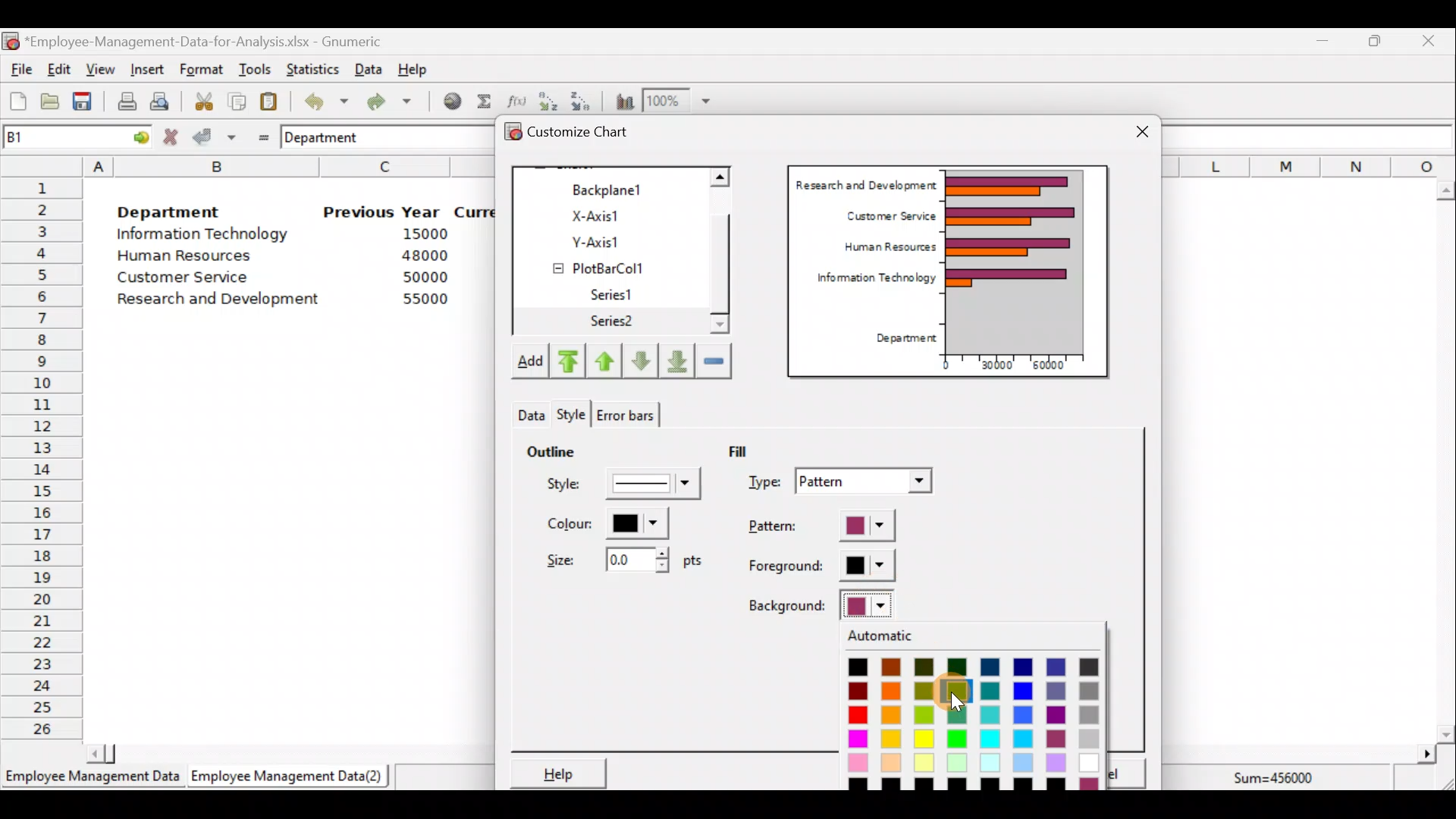 The image size is (1456, 819). Describe the element at coordinates (621, 101) in the screenshot. I see `Insert a chart` at that location.